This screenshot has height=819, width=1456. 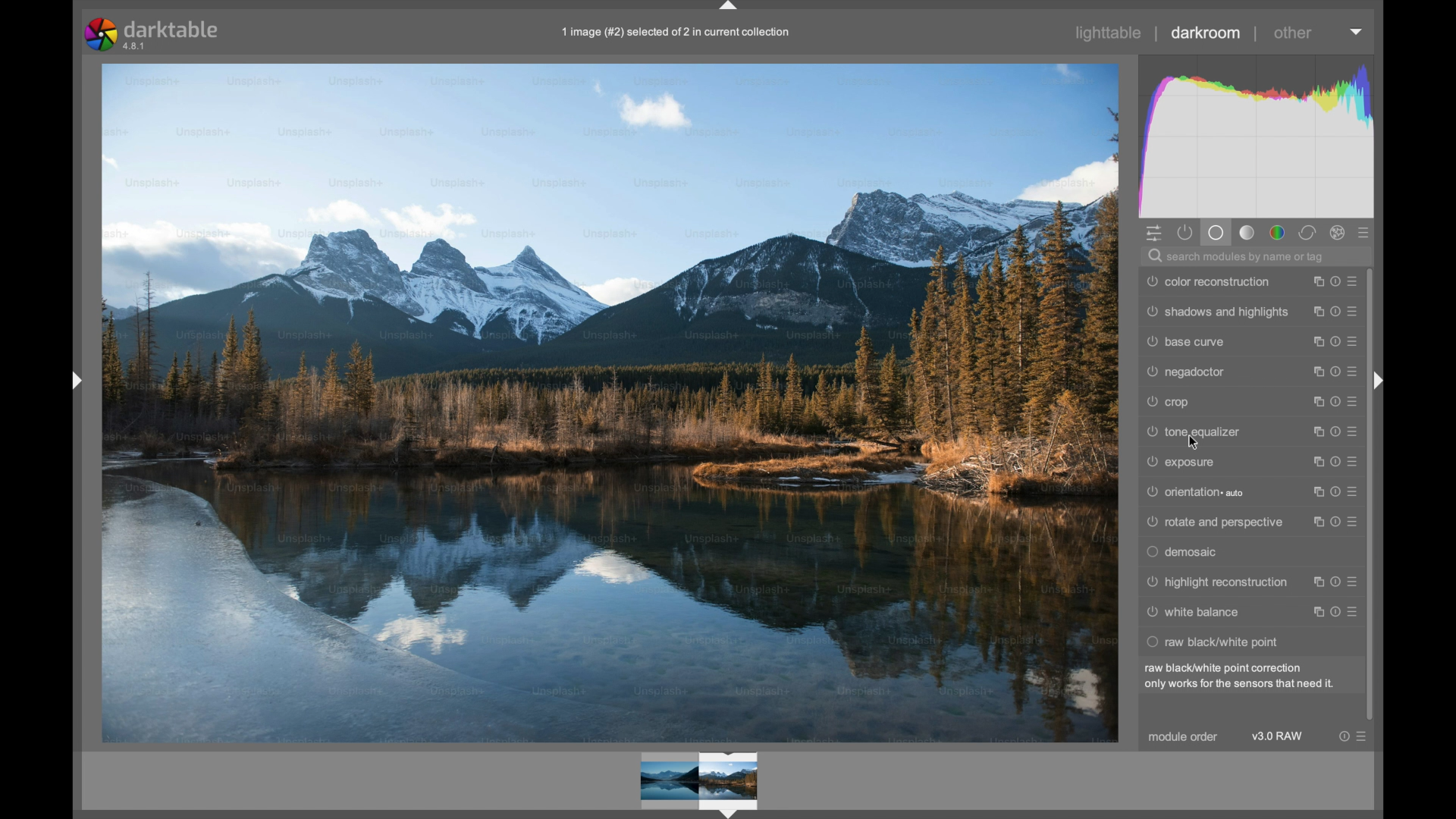 What do you see at coordinates (1167, 402) in the screenshot?
I see `crop` at bounding box center [1167, 402].